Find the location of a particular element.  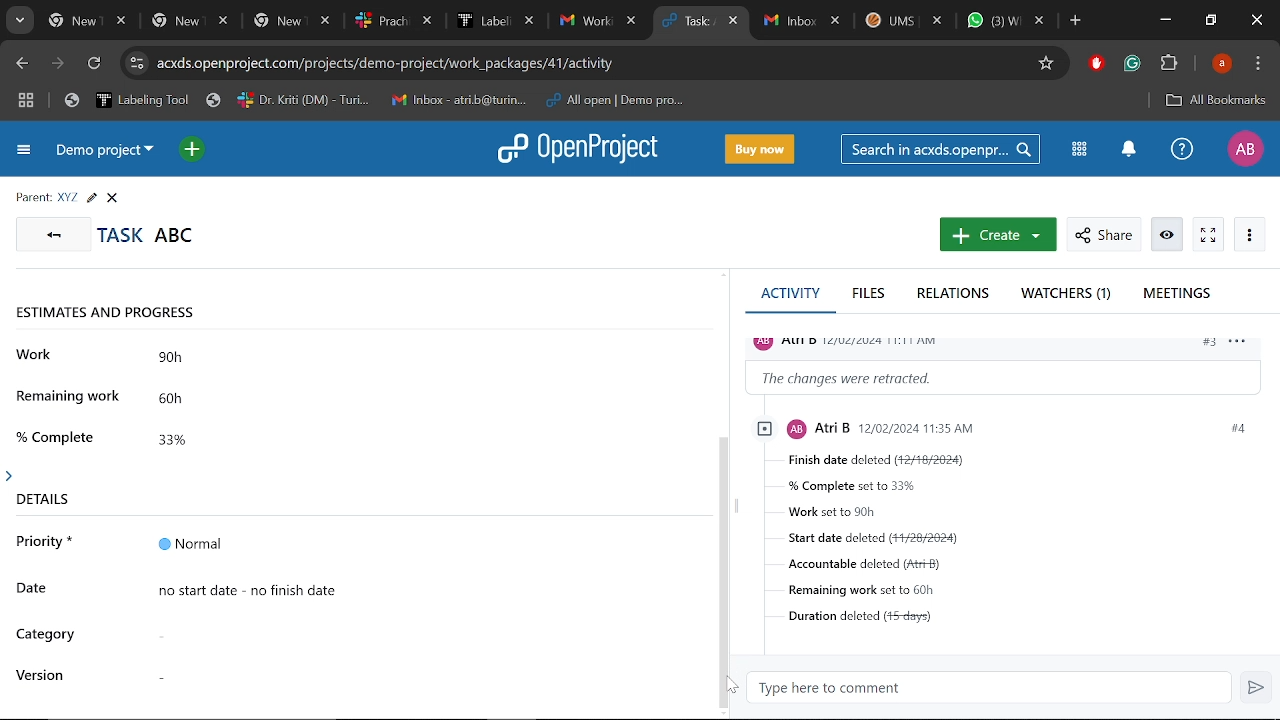

version is located at coordinates (43, 675).